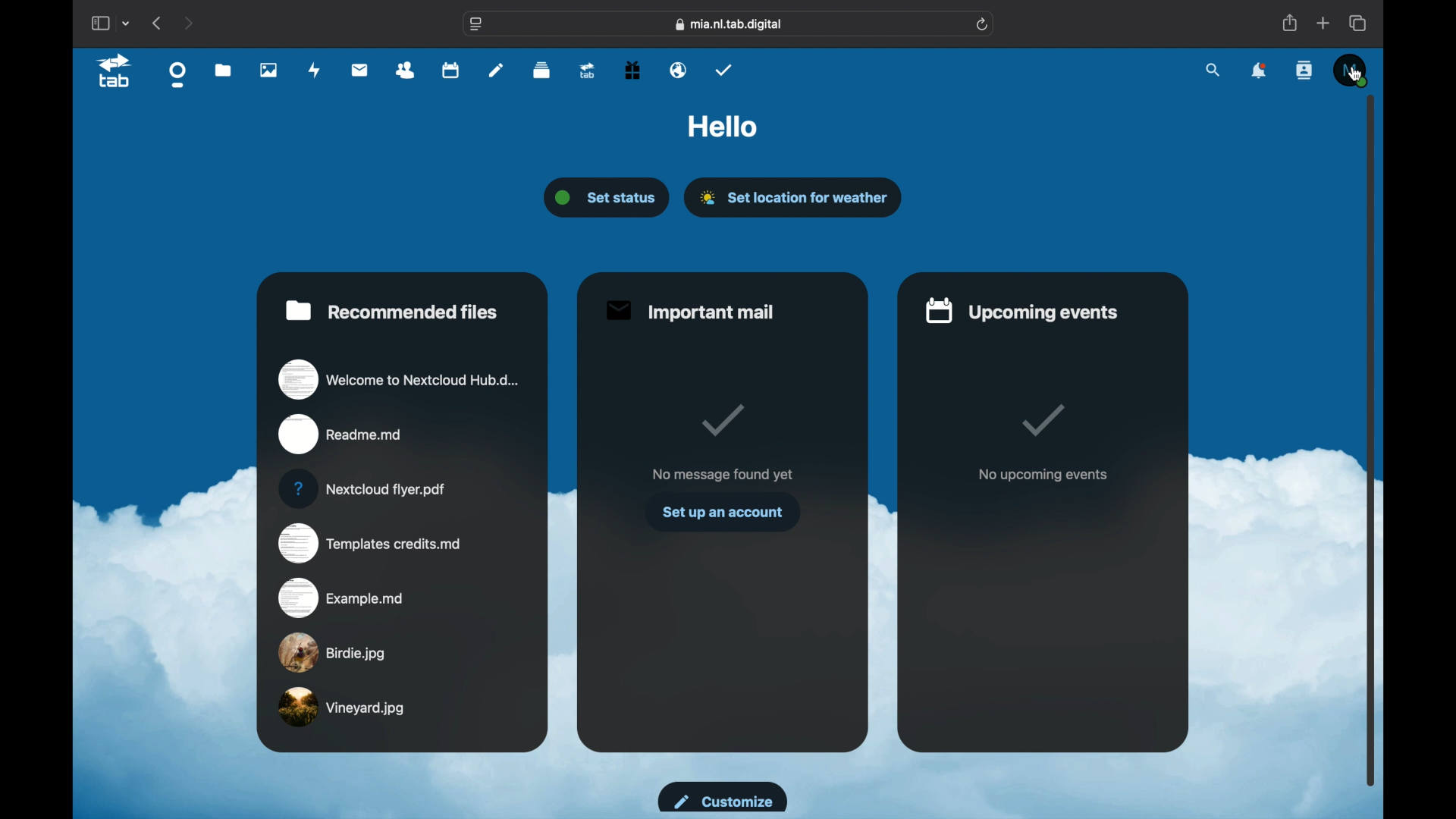 The width and height of the screenshot is (1456, 819). I want to click on vineyard.jpg, so click(342, 708).